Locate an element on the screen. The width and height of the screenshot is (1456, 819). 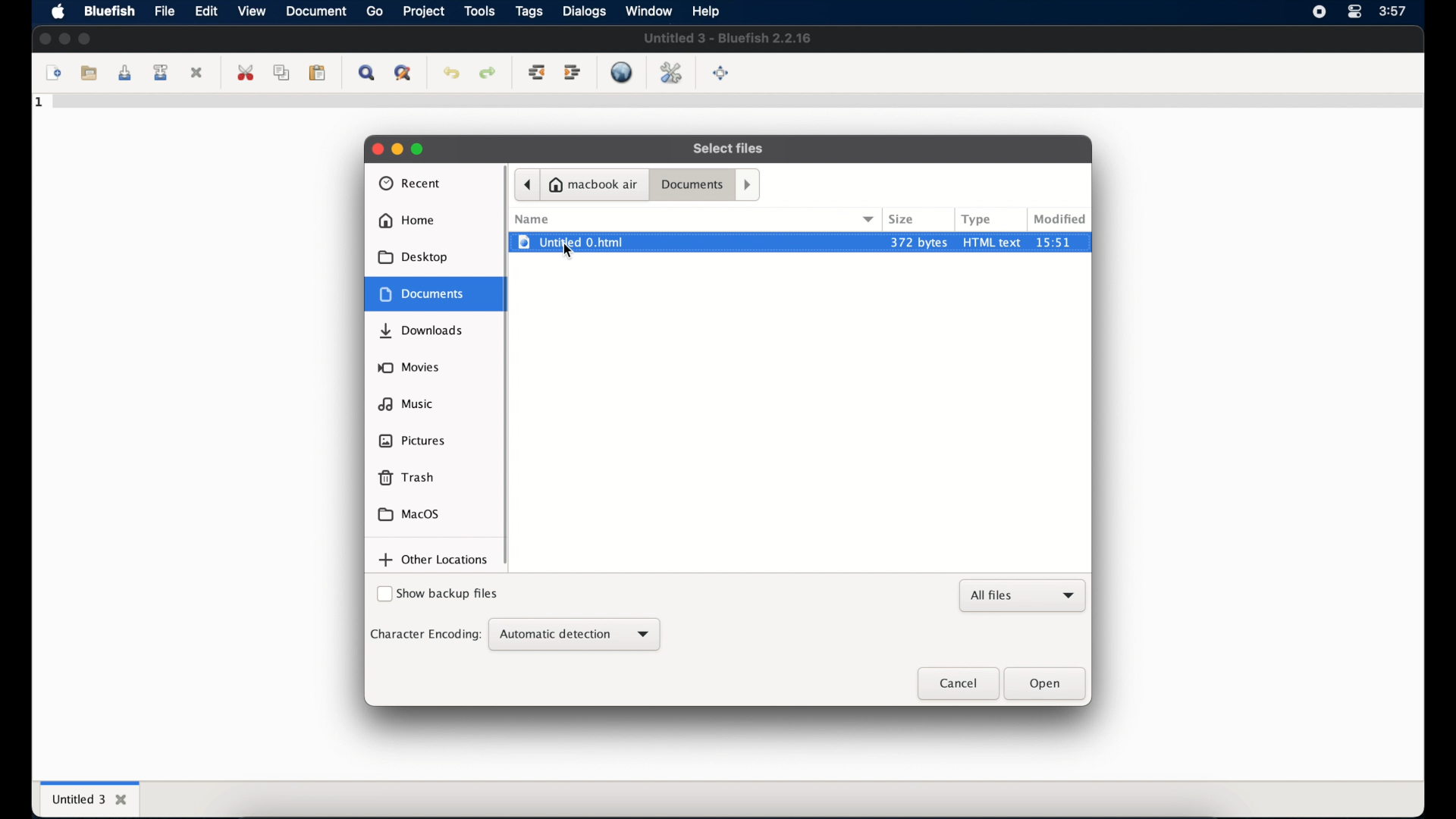
cursor is located at coordinates (569, 251).